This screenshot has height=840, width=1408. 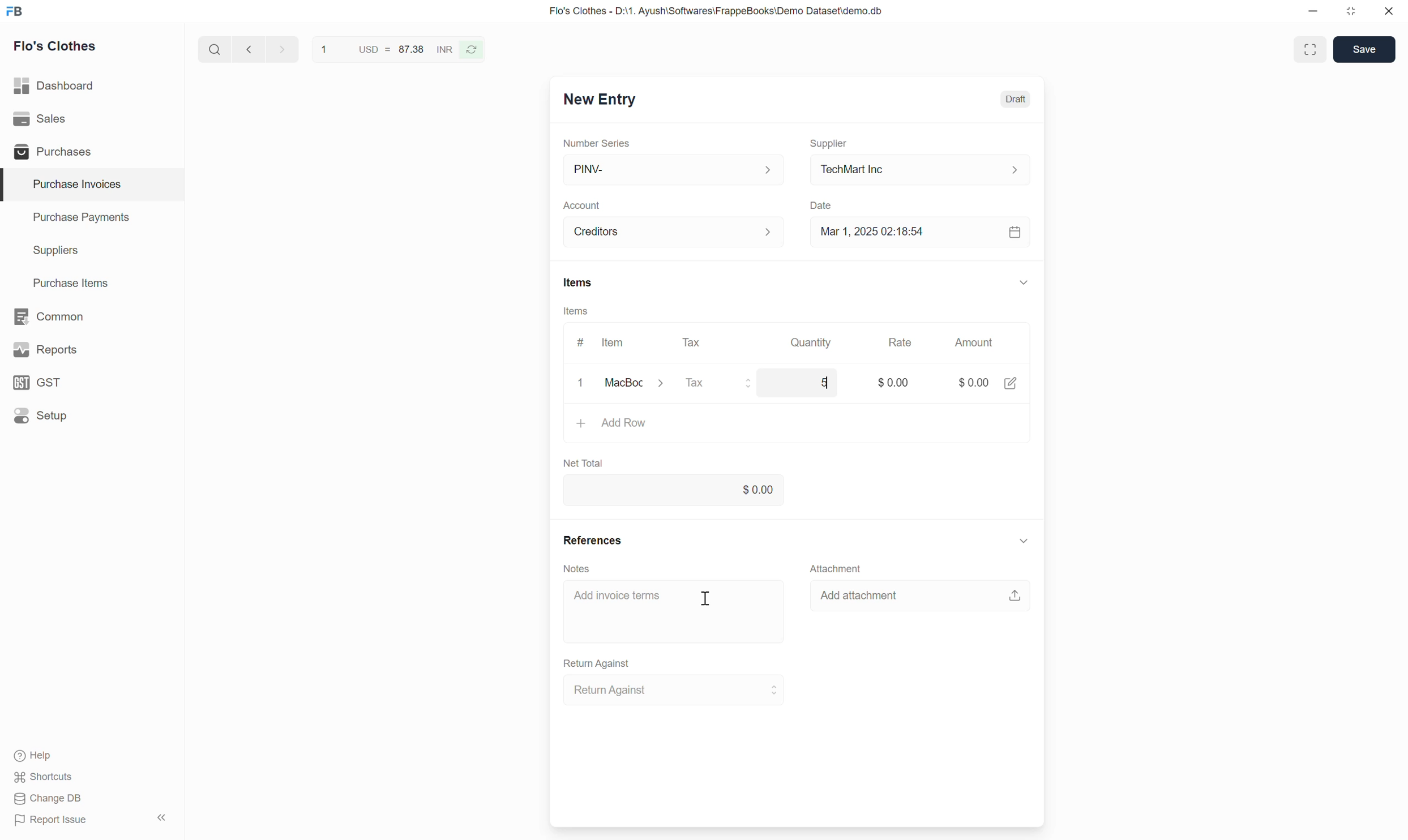 I want to click on Attachment, so click(x=836, y=568).